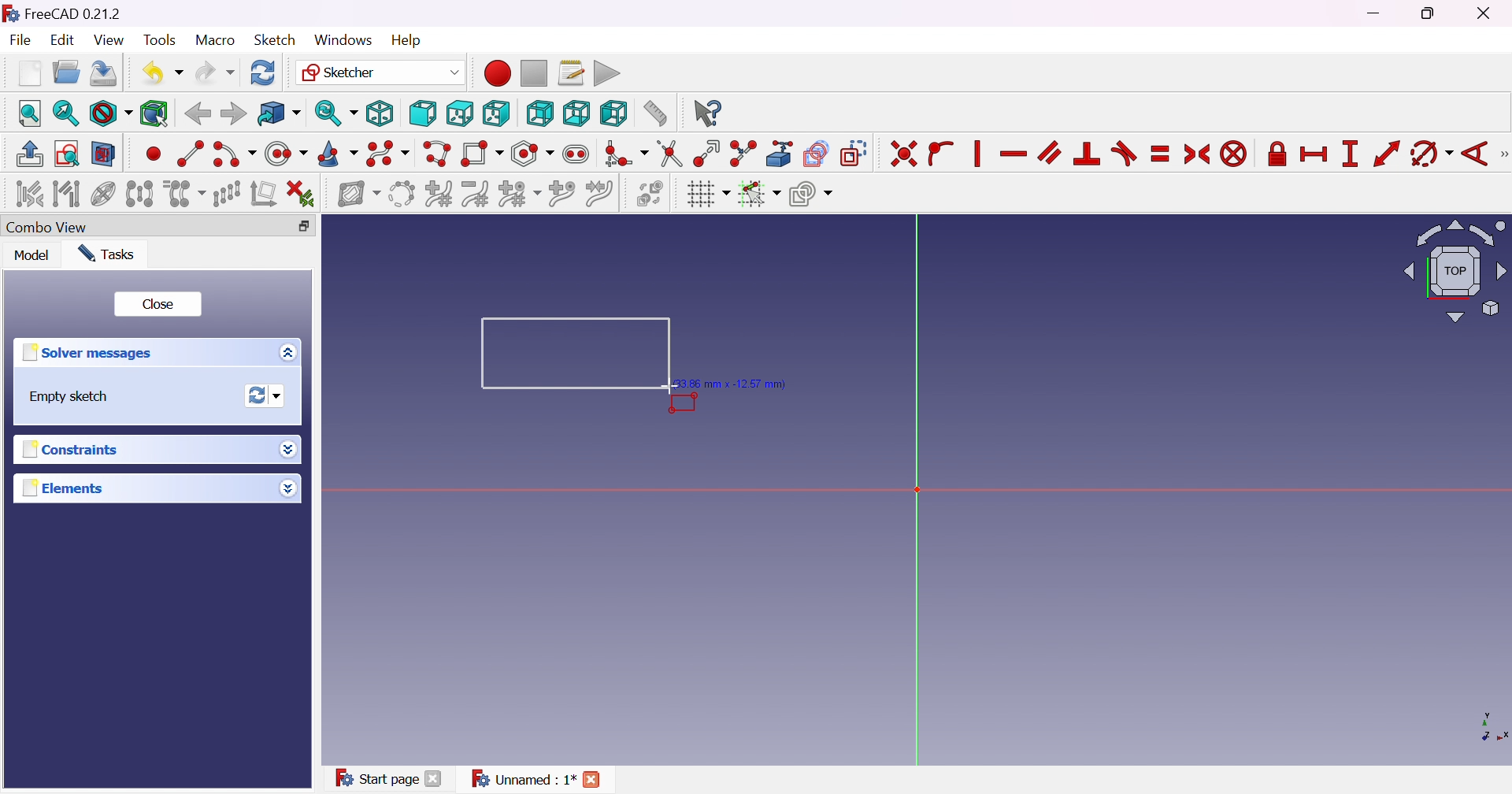  I want to click on Combo, so click(51, 228).